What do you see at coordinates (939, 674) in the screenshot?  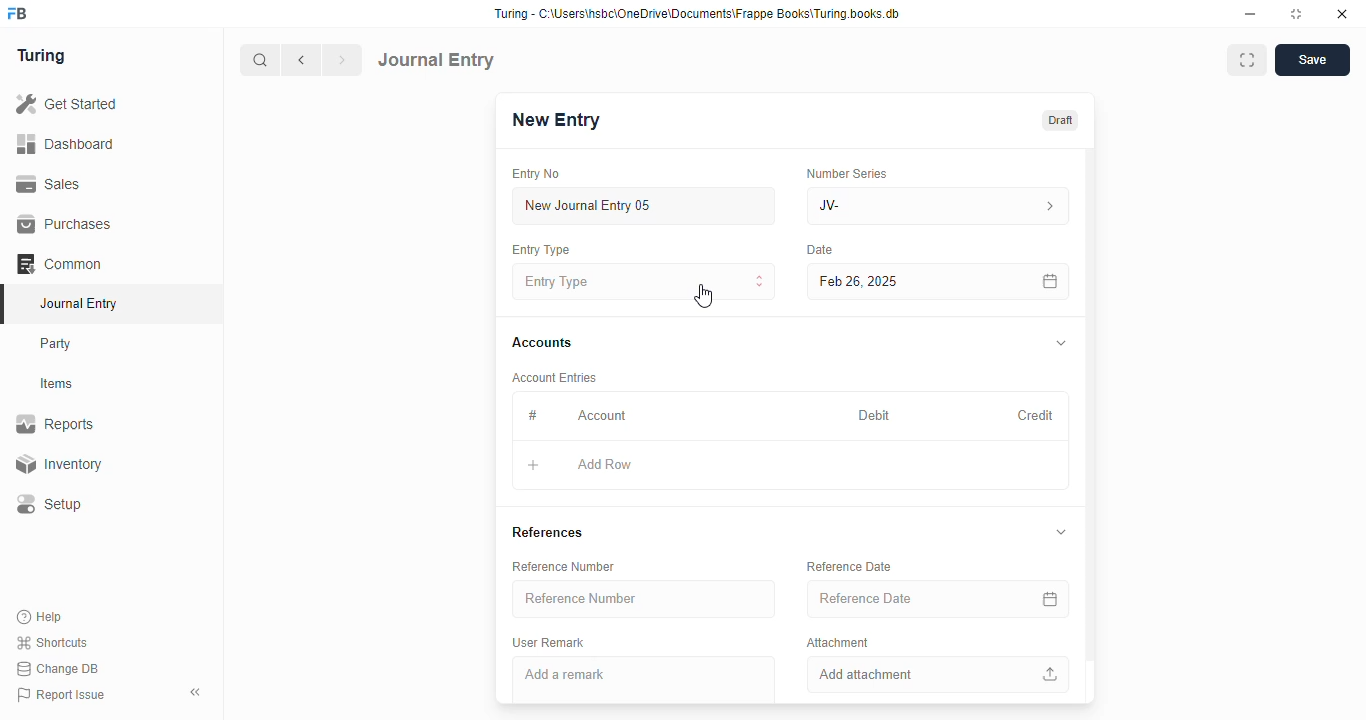 I see `add attachment` at bounding box center [939, 674].